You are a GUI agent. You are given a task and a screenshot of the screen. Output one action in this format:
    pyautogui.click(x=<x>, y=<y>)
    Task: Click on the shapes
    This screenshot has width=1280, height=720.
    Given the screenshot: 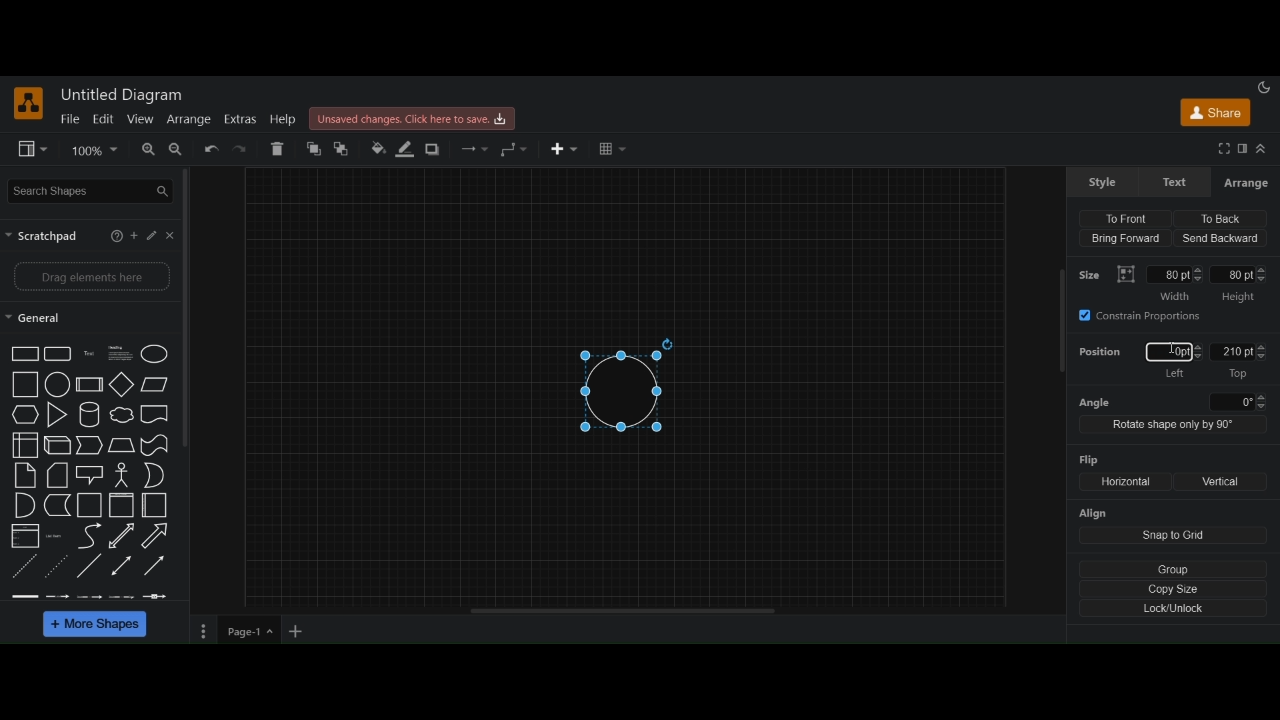 What is the action you would take?
    pyautogui.click(x=25, y=354)
    